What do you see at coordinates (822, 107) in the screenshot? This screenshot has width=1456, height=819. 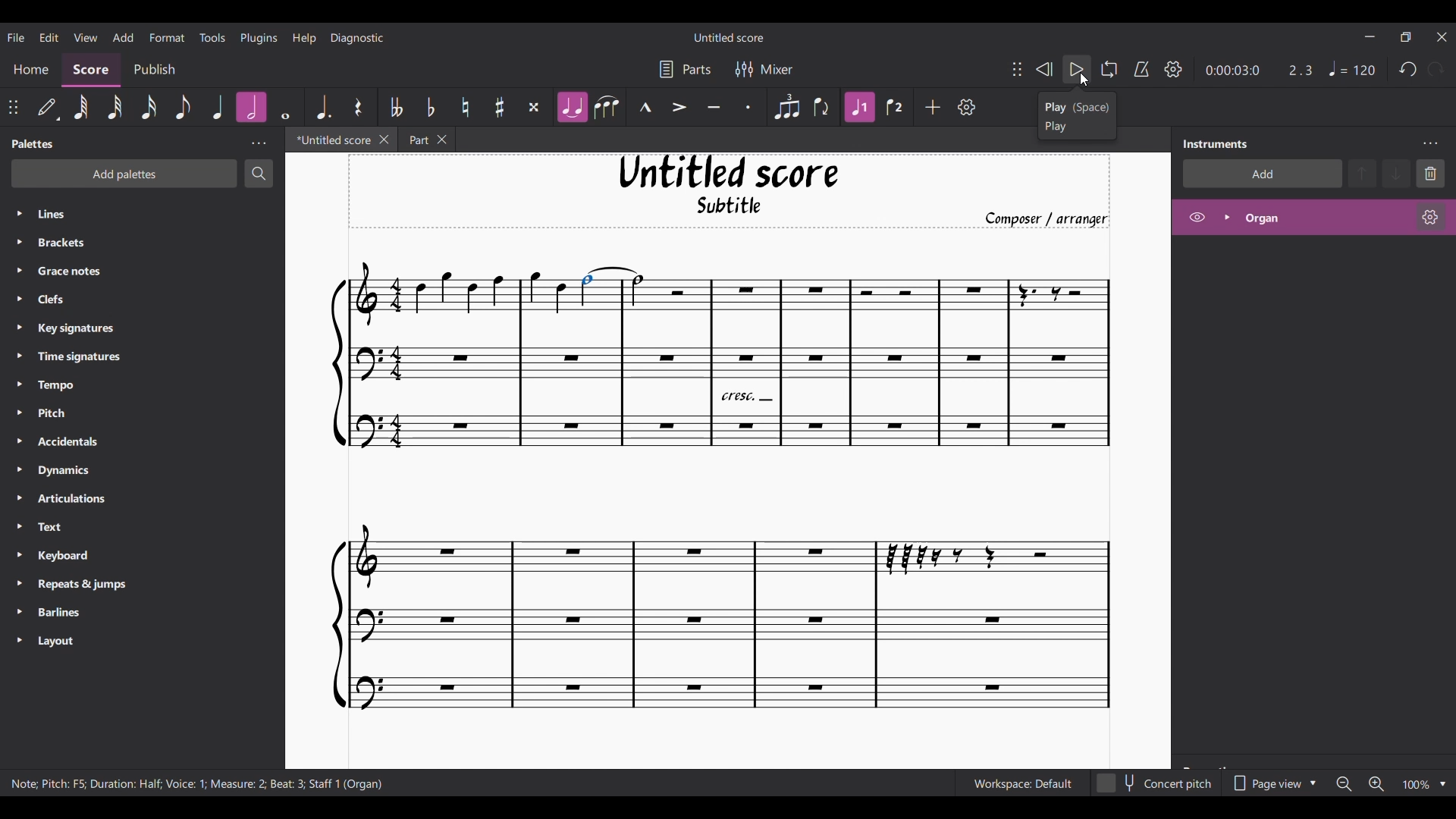 I see `Flip direction` at bounding box center [822, 107].